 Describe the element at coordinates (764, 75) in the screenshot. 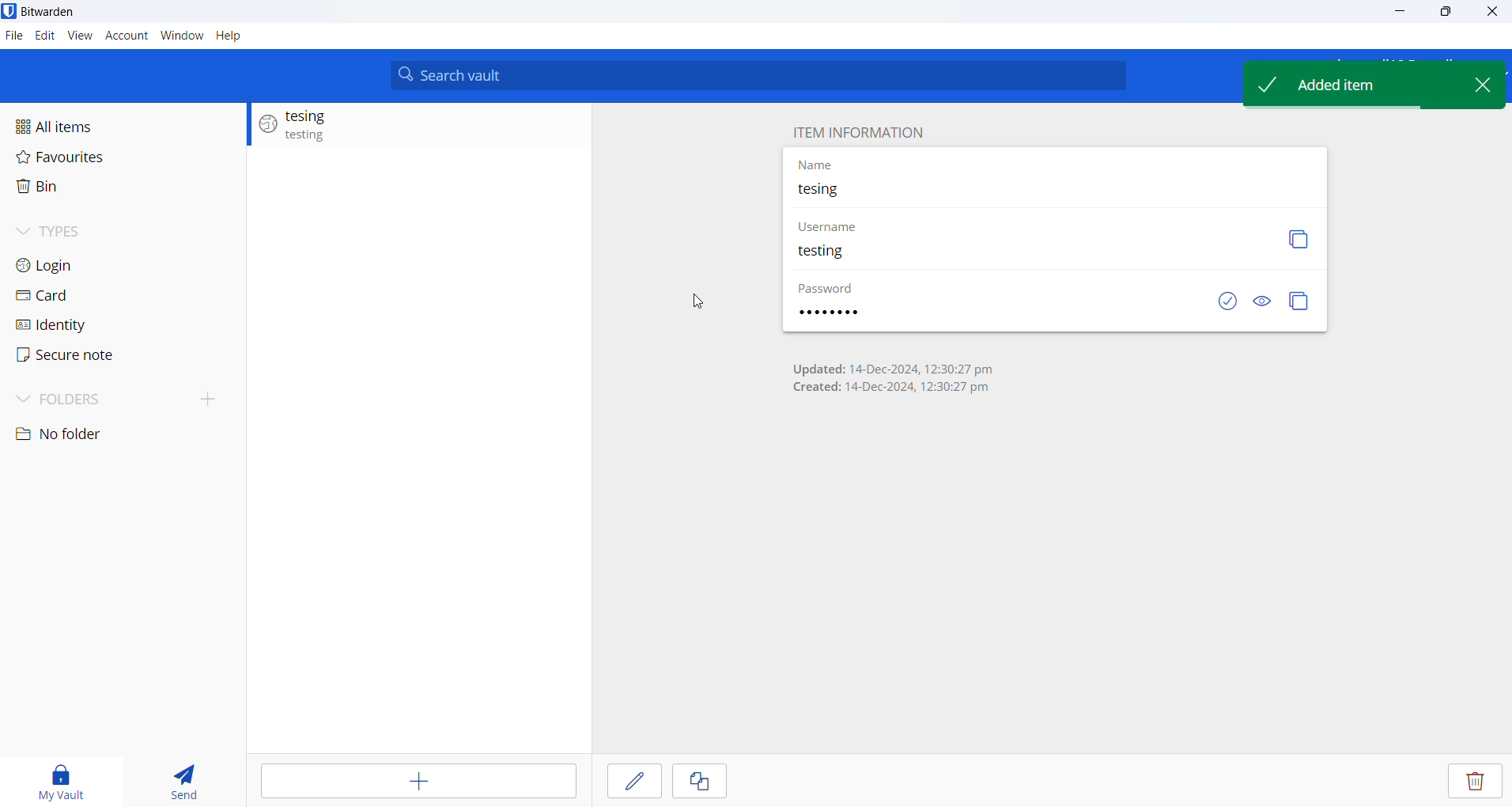

I see `search bar` at that location.